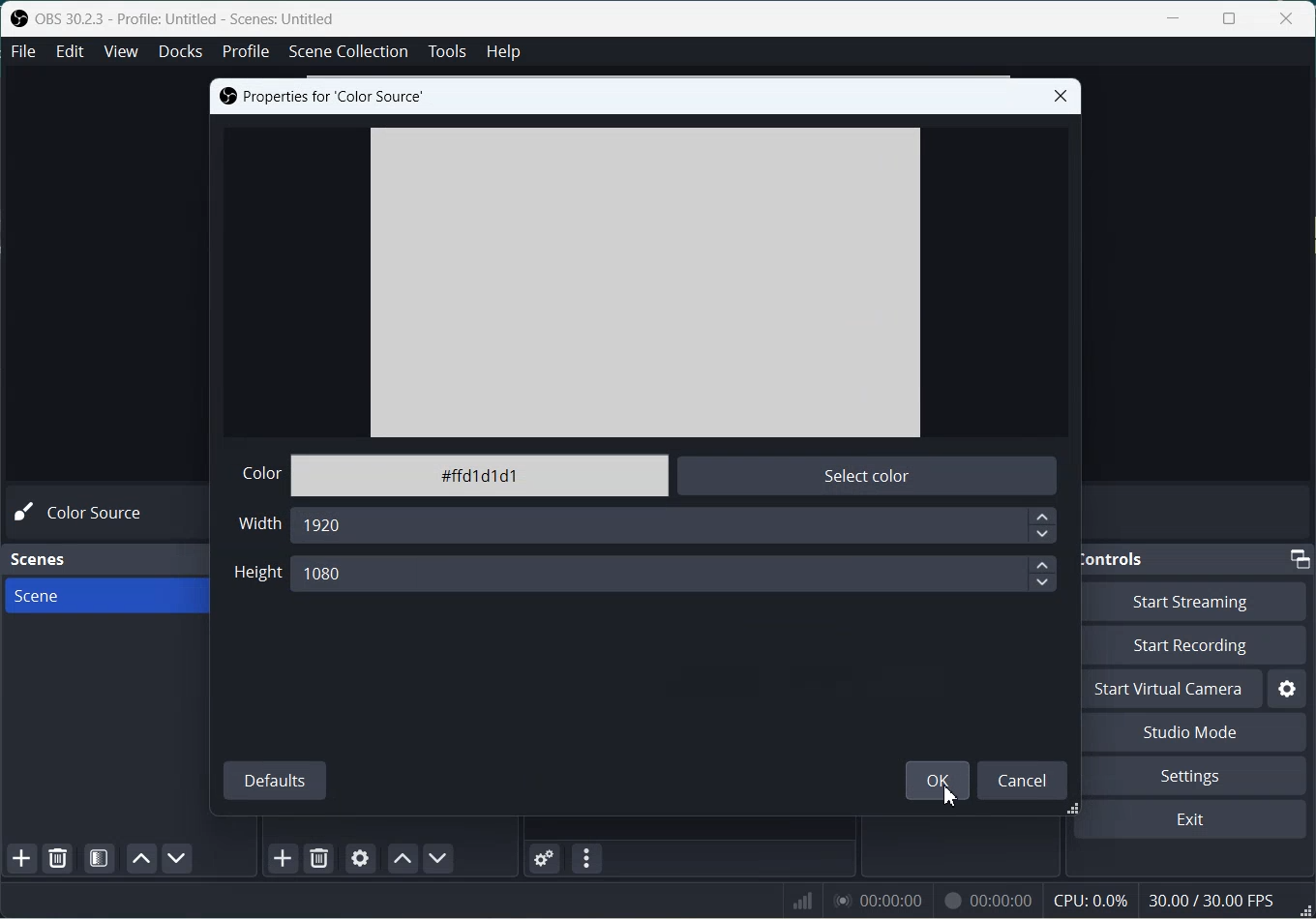 This screenshot has width=1316, height=919. What do you see at coordinates (1301, 558) in the screenshot?
I see `Minimize` at bounding box center [1301, 558].